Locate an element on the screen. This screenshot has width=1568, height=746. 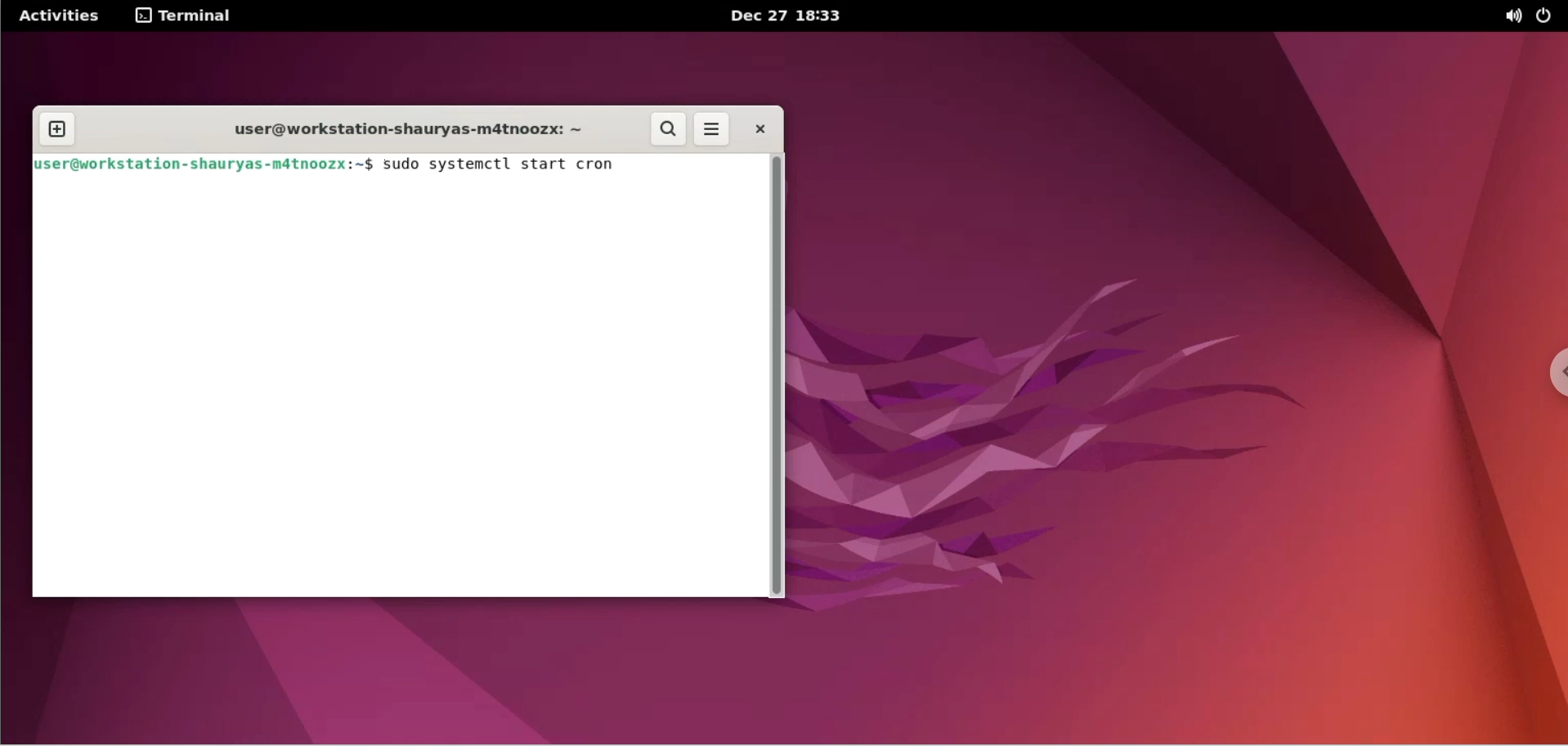
user@workstation-shauryas-m4tnoozx:~$ is located at coordinates (204, 166).